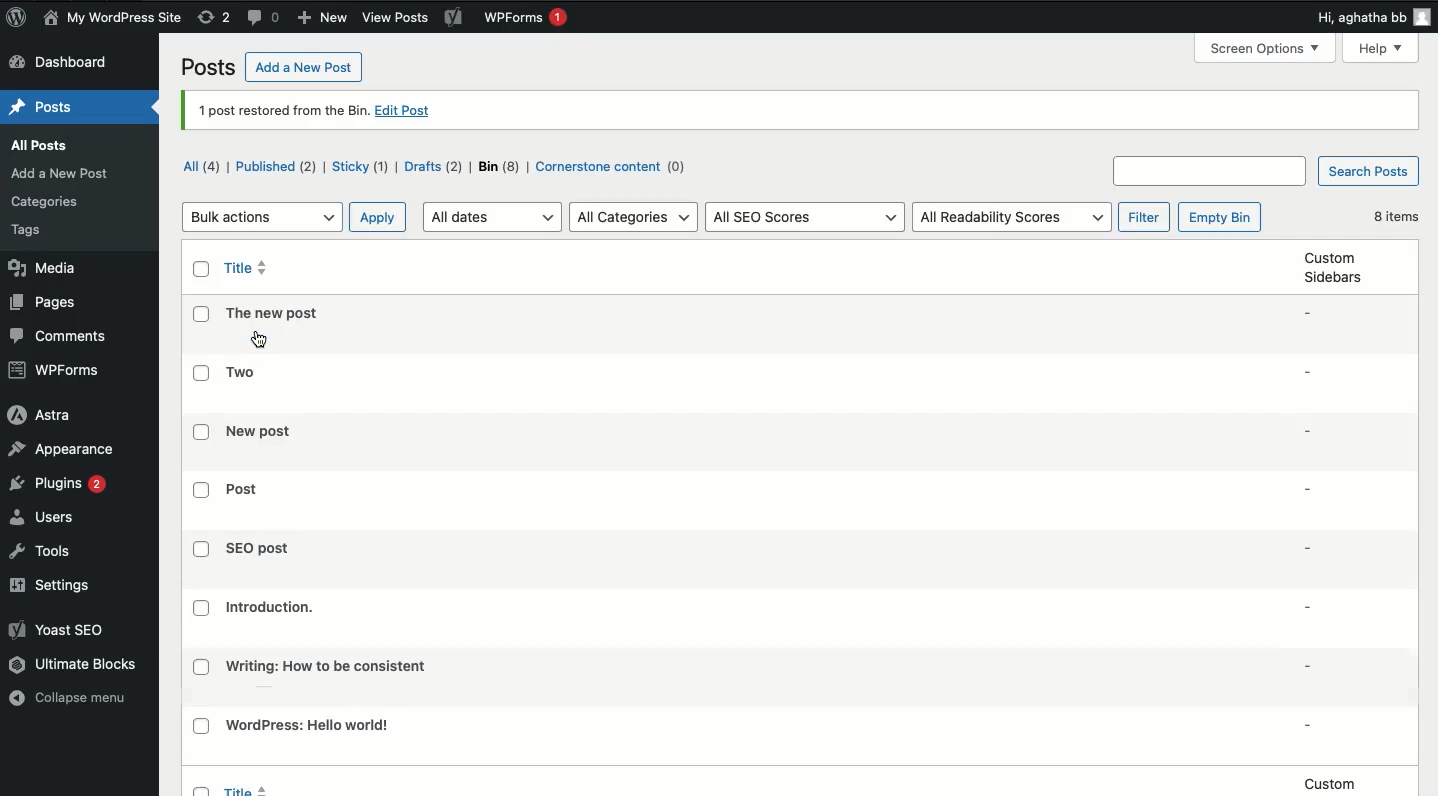 Image resolution: width=1438 pixels, height=796 pixels. Describe the element at coordinates (115, 19) in the screenshot. I see `My wordpress site` at that location.